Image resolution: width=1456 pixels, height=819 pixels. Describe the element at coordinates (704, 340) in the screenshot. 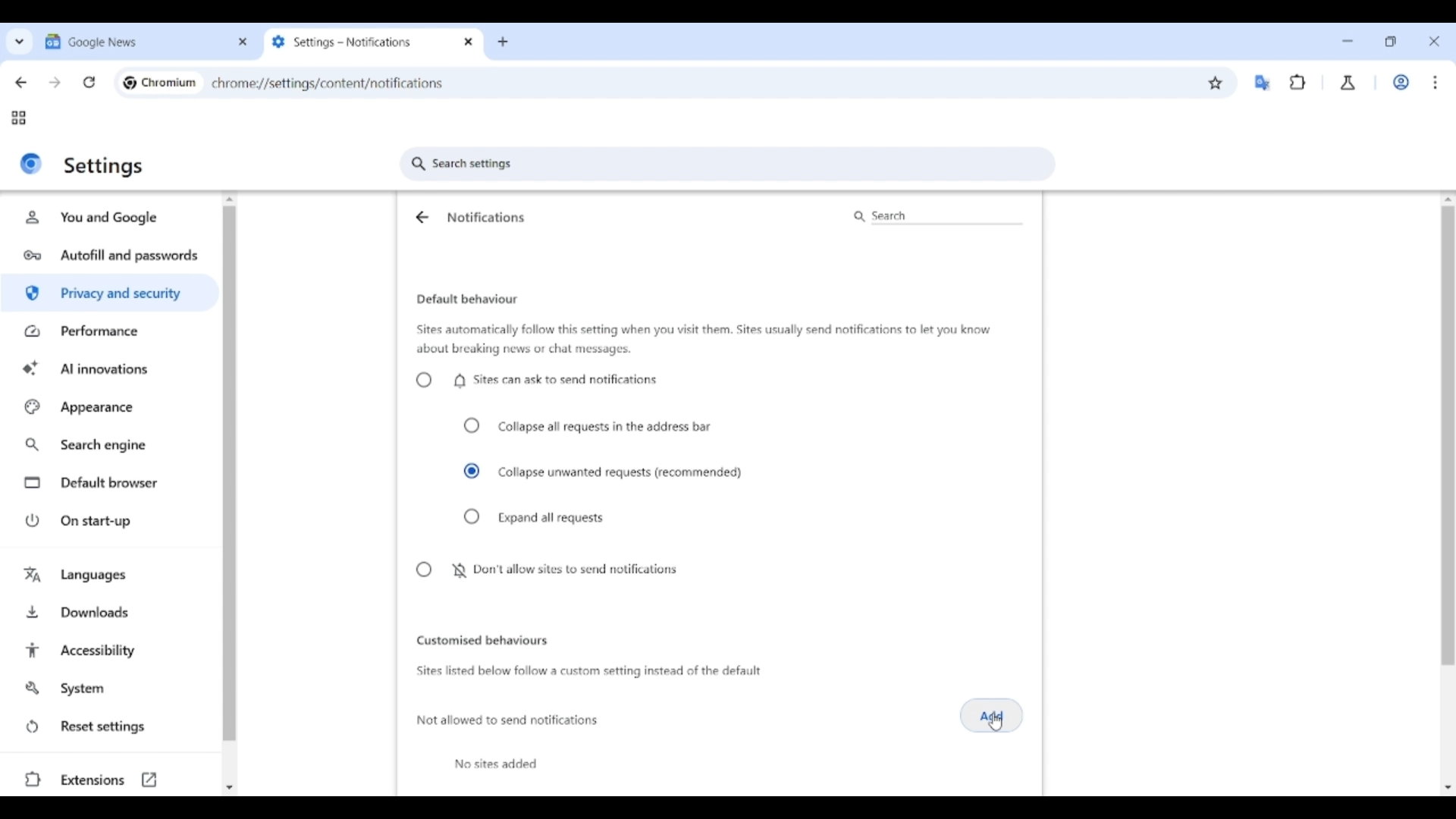

I see `Sites automatically follow this setting when you visit them. Sites usually send notifications to let you know
about breaking news or chat messages.` at that location.